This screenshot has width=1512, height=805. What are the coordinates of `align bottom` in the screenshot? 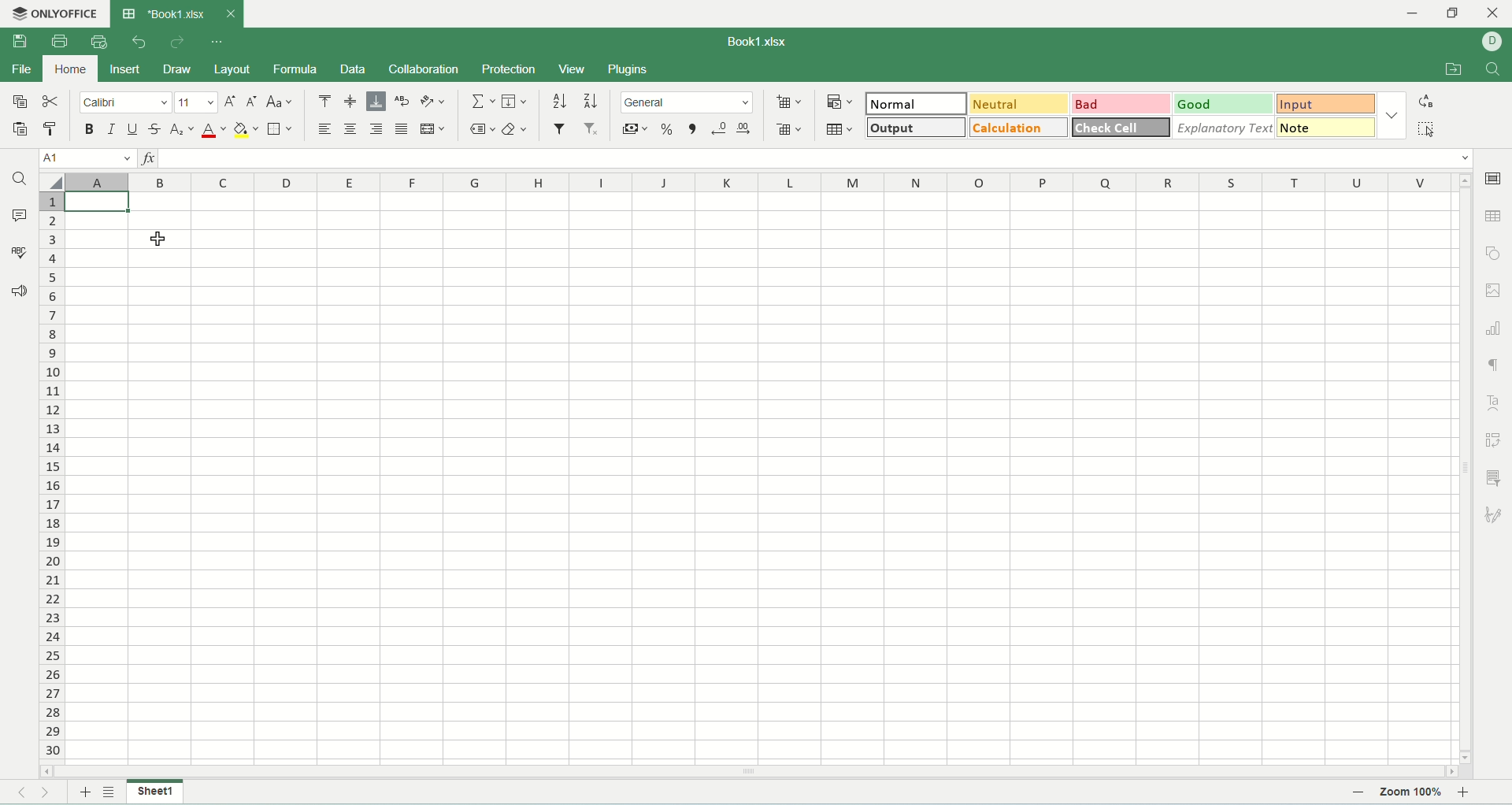 It's located at (375, 102).